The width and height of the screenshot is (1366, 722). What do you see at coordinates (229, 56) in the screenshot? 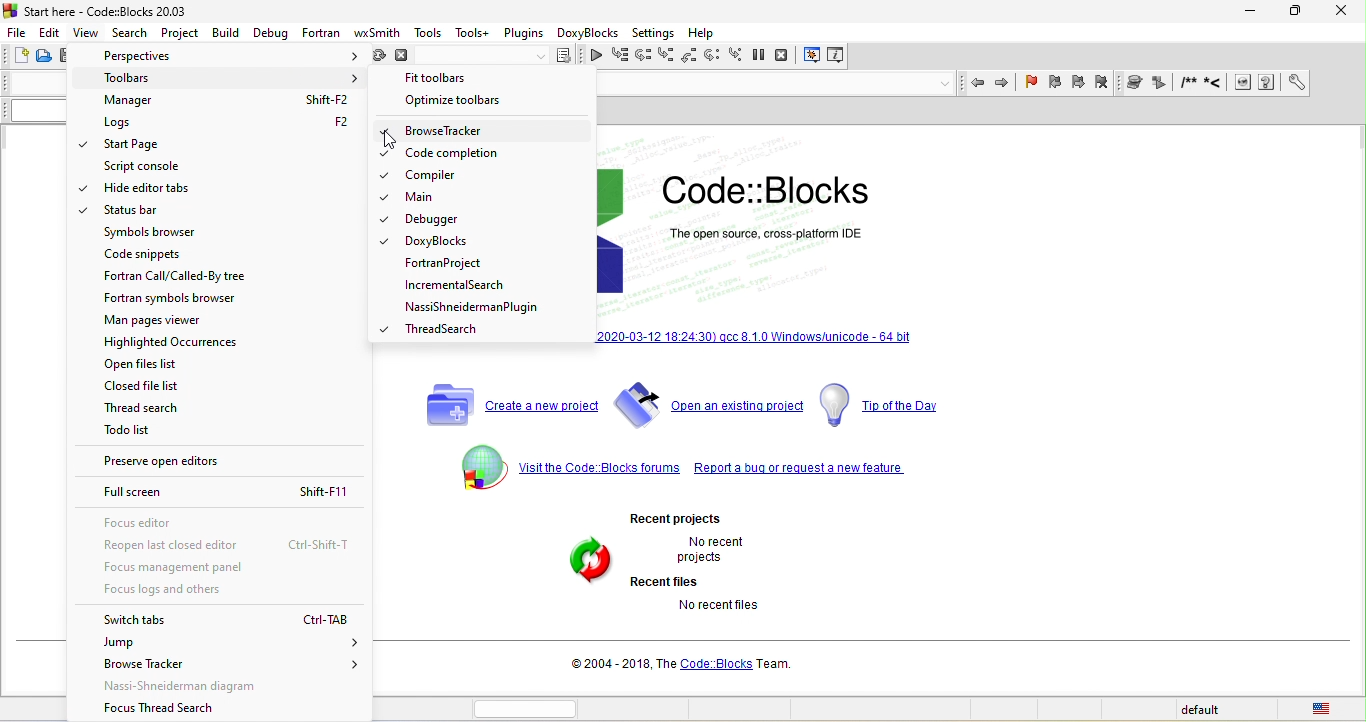
I see `perspectives` at bounding box center [229, 56].